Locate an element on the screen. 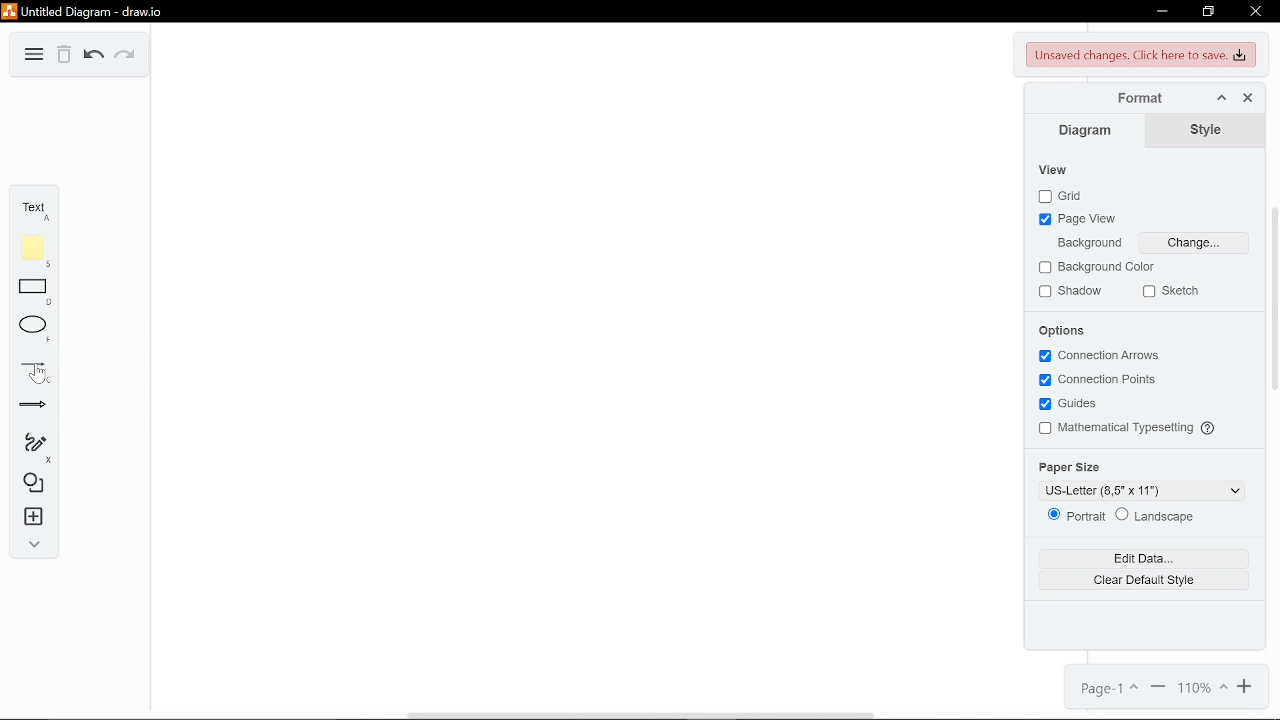  Grid is located at coordinates (1060, 197).